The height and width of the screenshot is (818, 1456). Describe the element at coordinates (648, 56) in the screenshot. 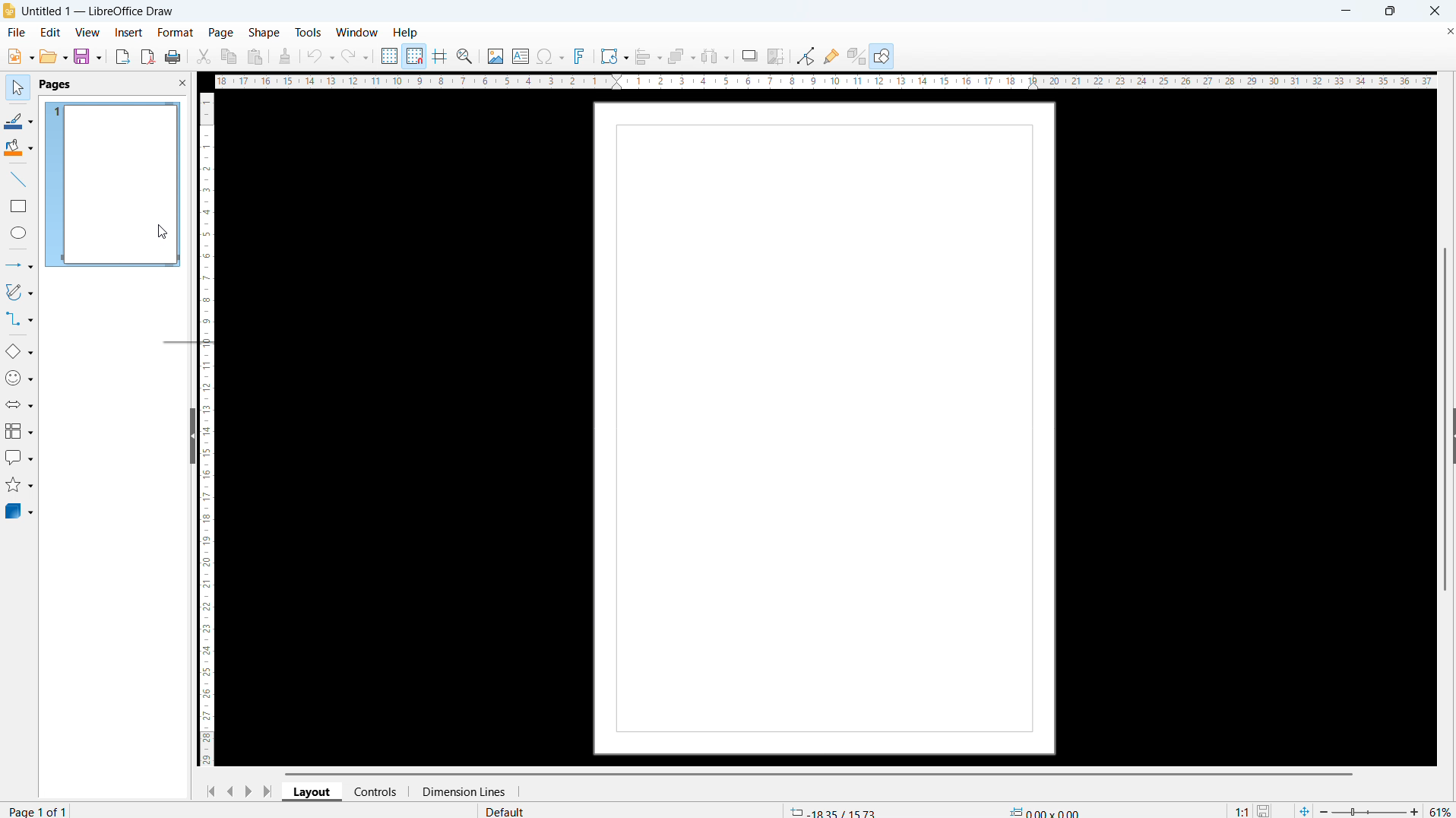

I see `align` at that location.